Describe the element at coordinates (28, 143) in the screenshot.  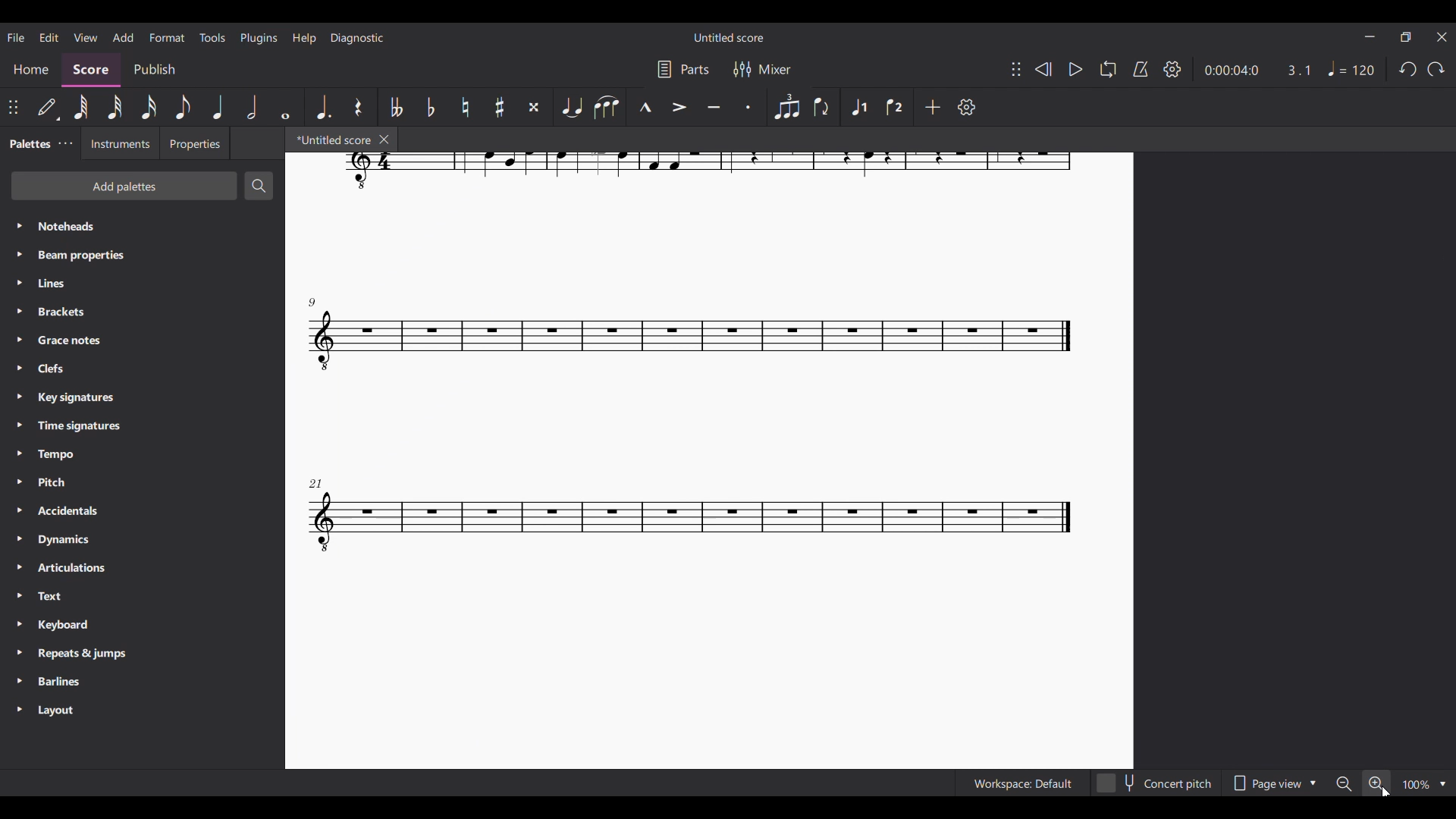
I see `Palettes` at that location.